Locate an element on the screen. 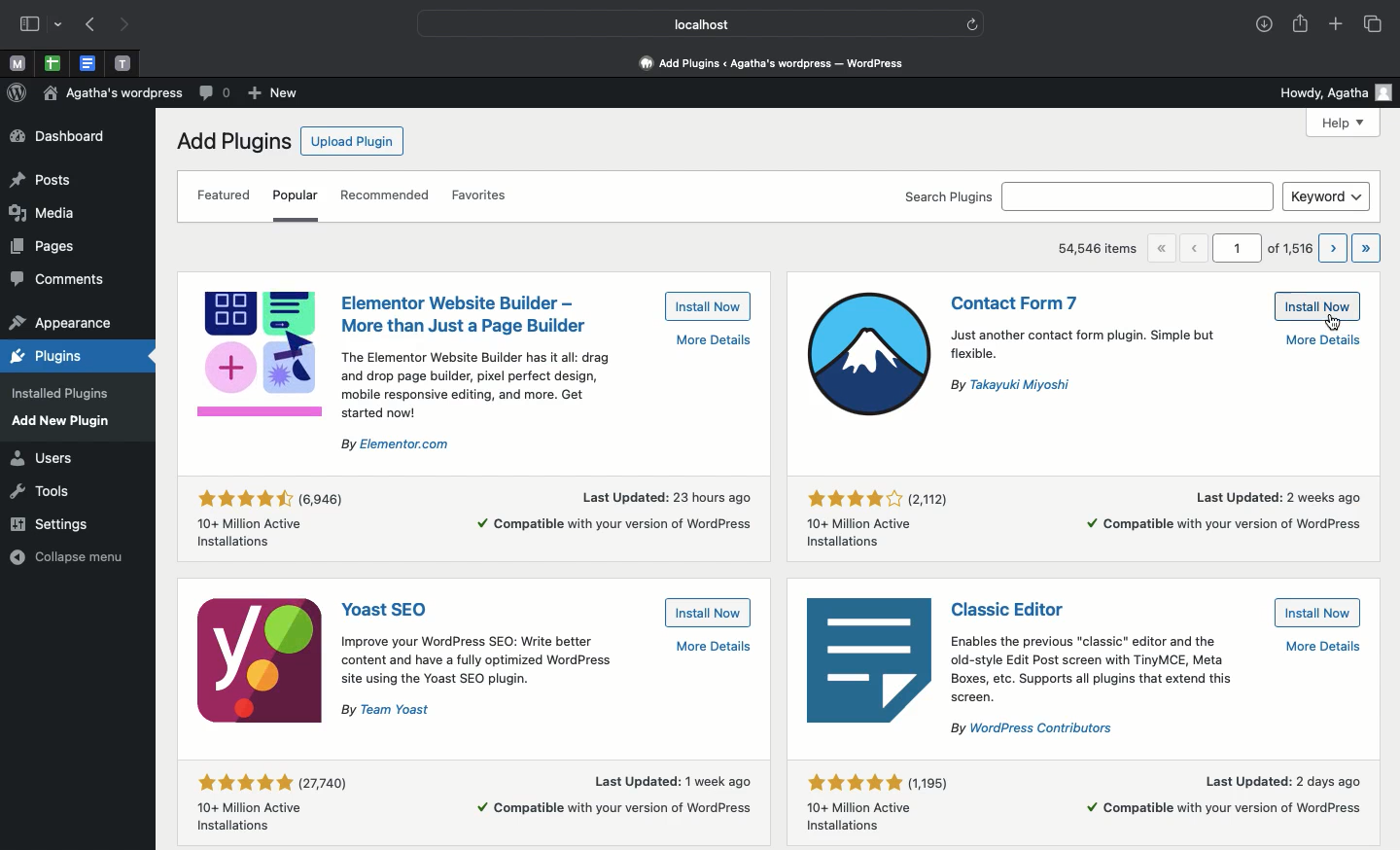 This screenshot has height=850, width=1400. Pinned tabs is located at coordinates (125, 63).